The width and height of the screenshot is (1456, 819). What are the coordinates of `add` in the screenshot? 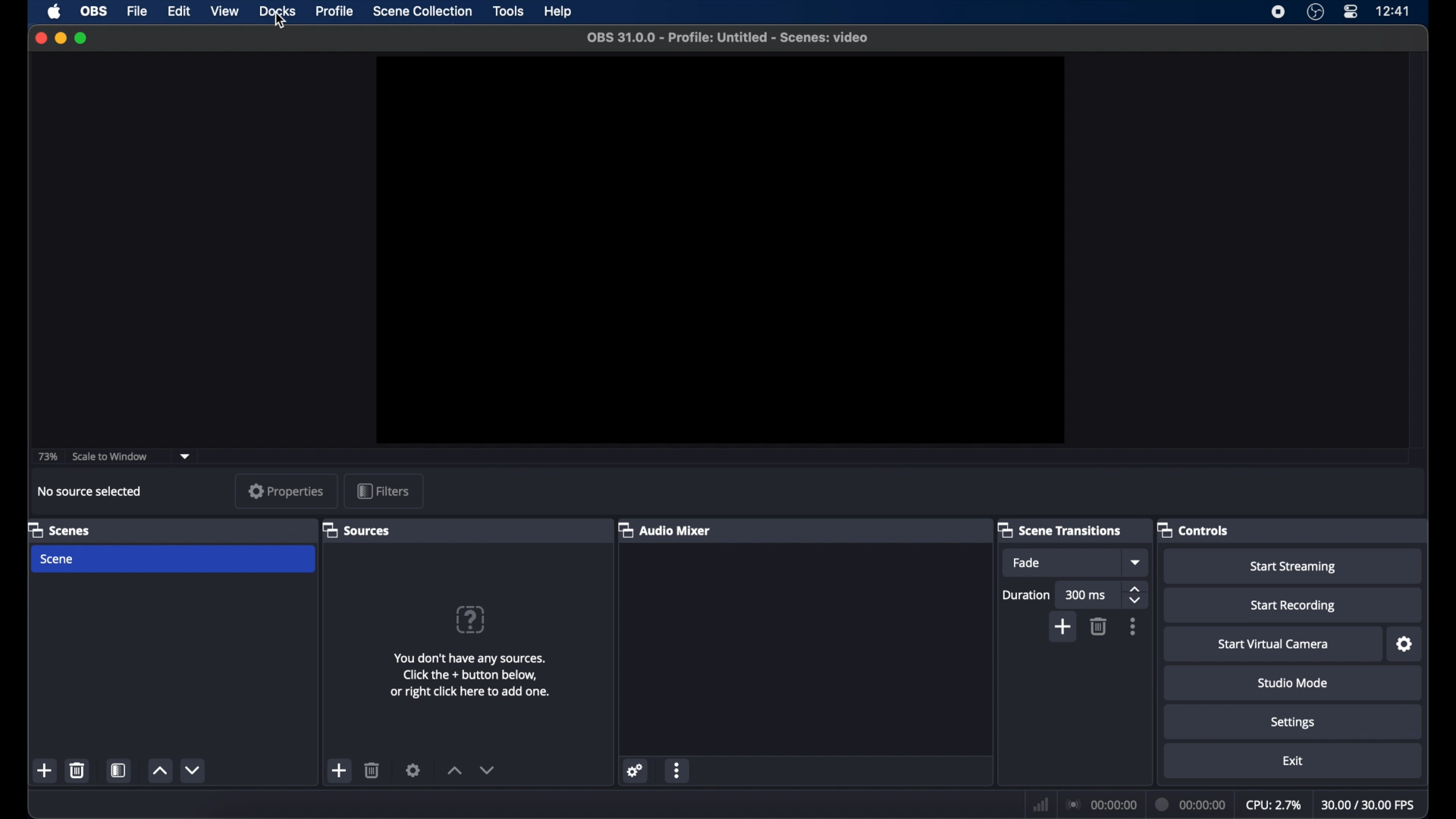 It's located at (45, 770).